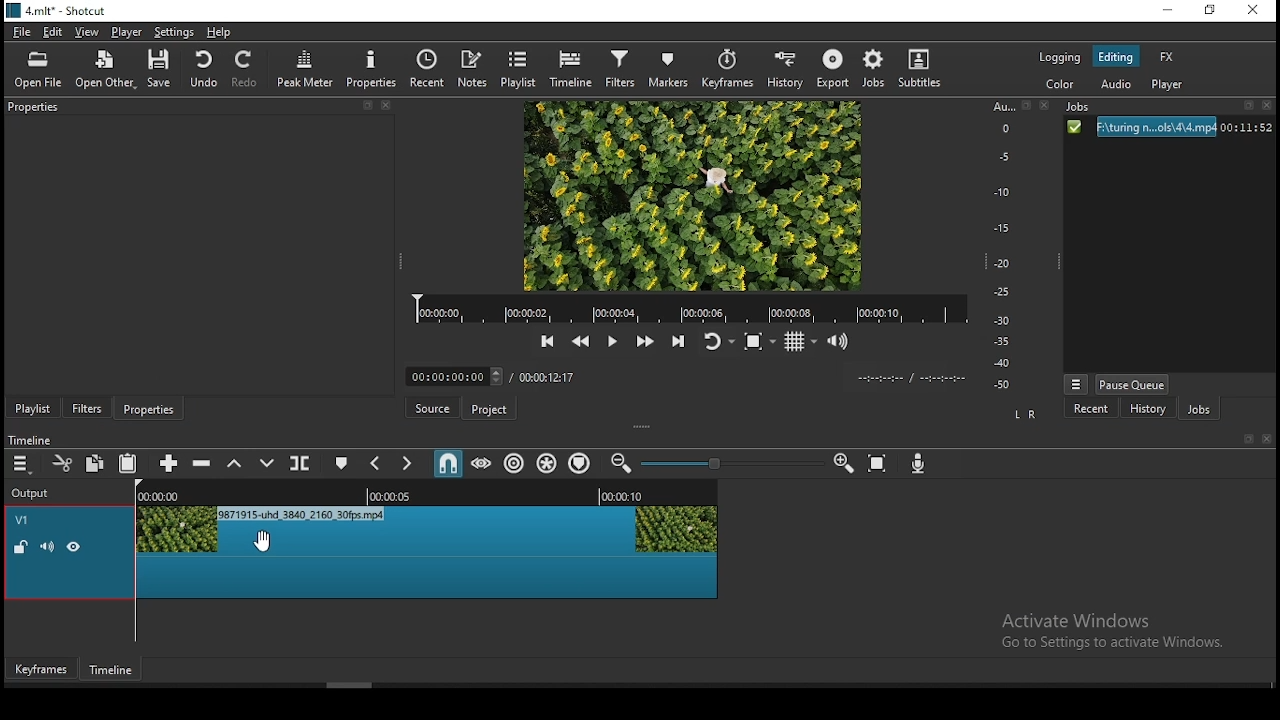 This screenshot has height=720, width=1280. I want to click on copy, so click(95, 464).